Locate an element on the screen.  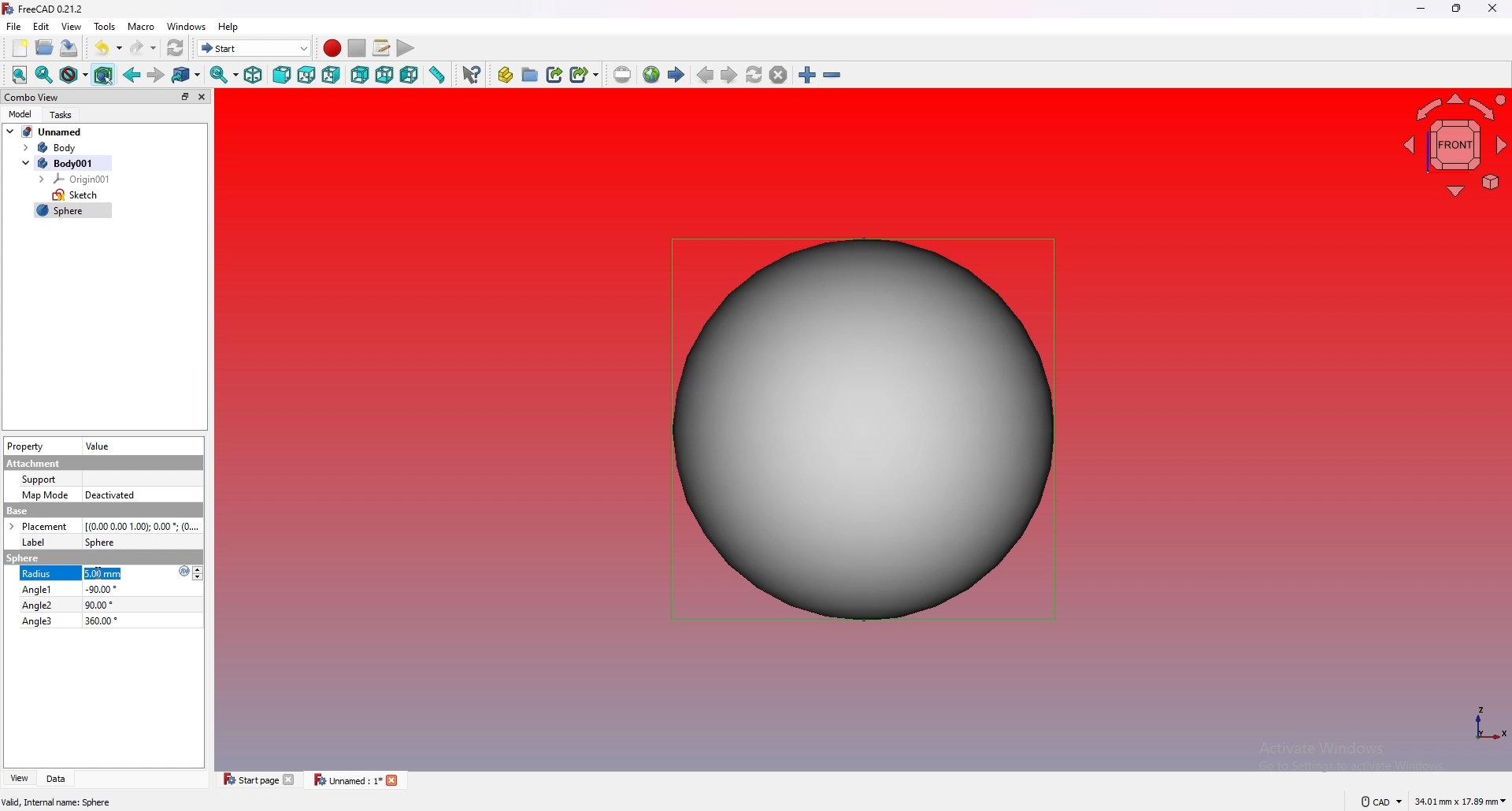
selection filter is located at coordinates (102, 76).